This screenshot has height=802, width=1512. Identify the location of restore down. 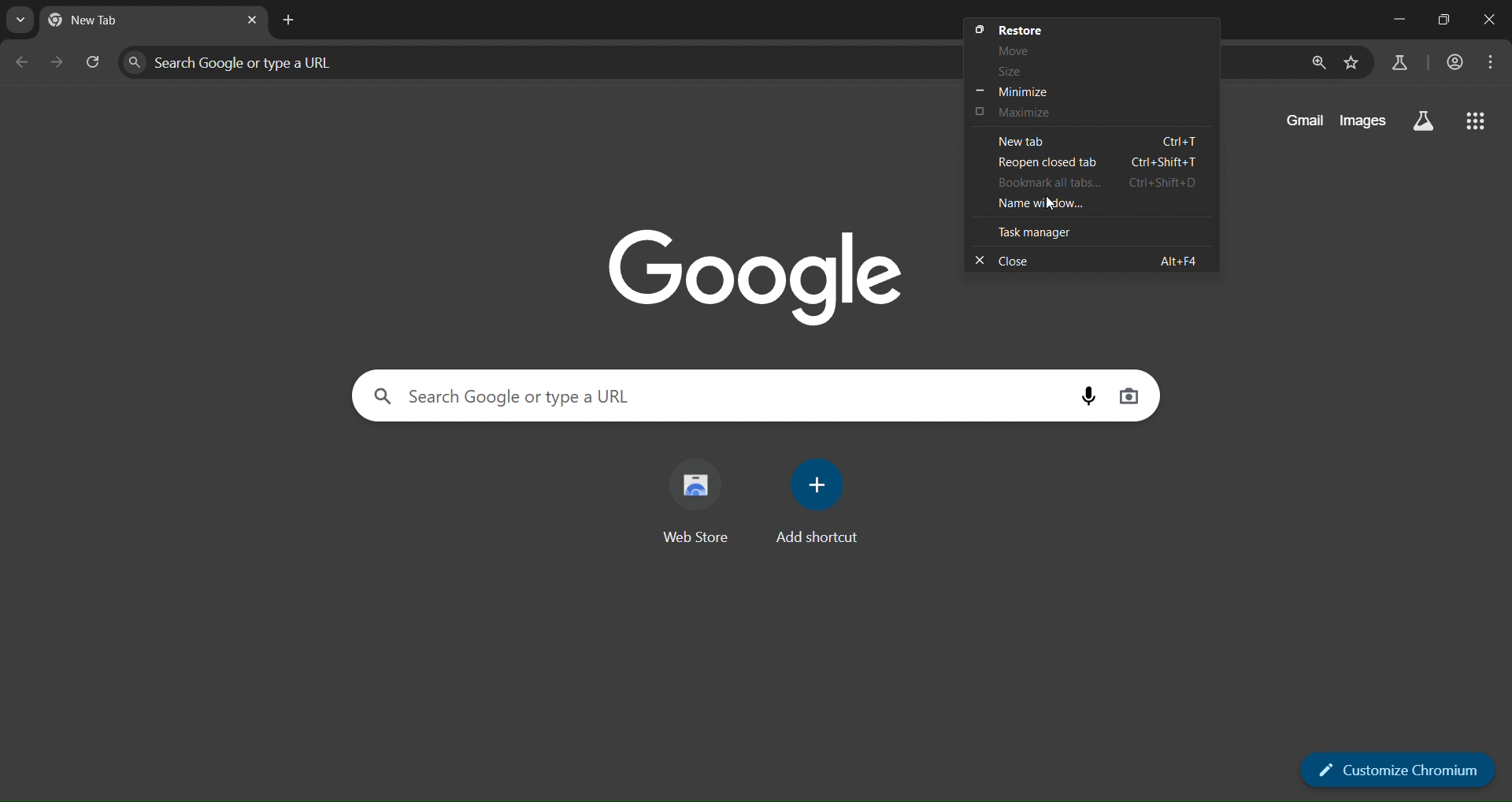
(1448, 21).